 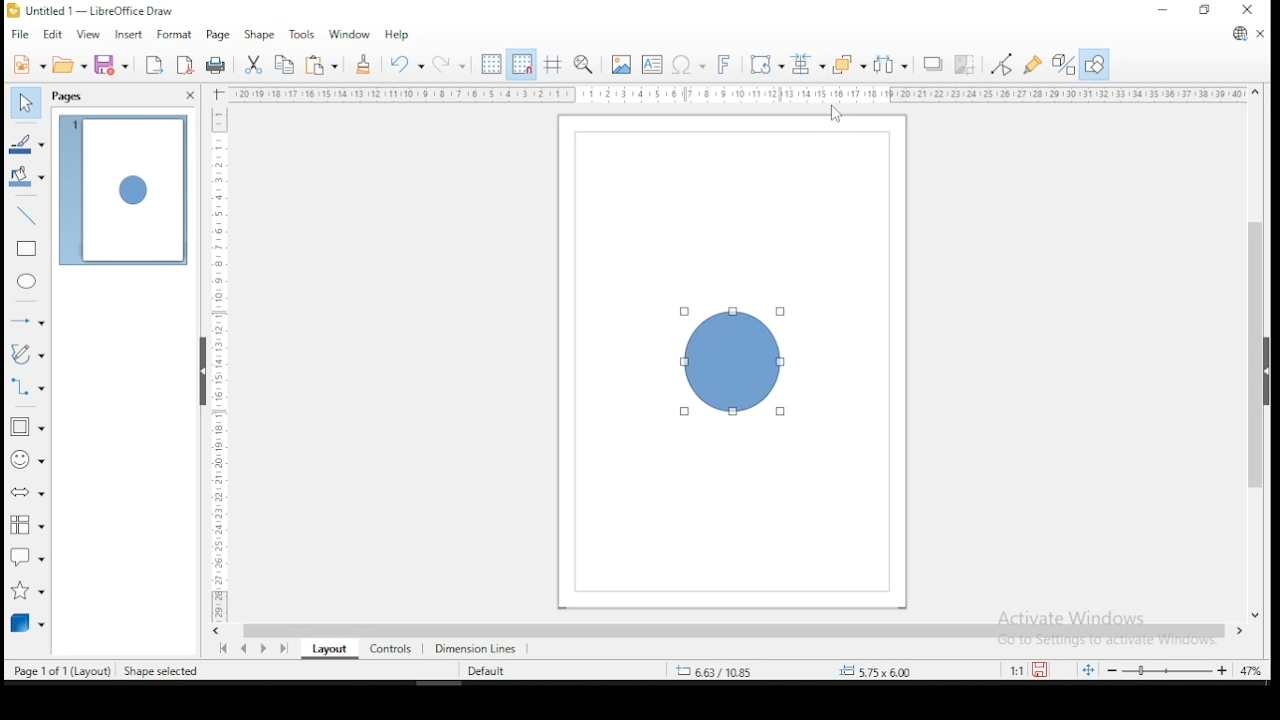 I want to click on scroll bar, so click(x=733, y=630).